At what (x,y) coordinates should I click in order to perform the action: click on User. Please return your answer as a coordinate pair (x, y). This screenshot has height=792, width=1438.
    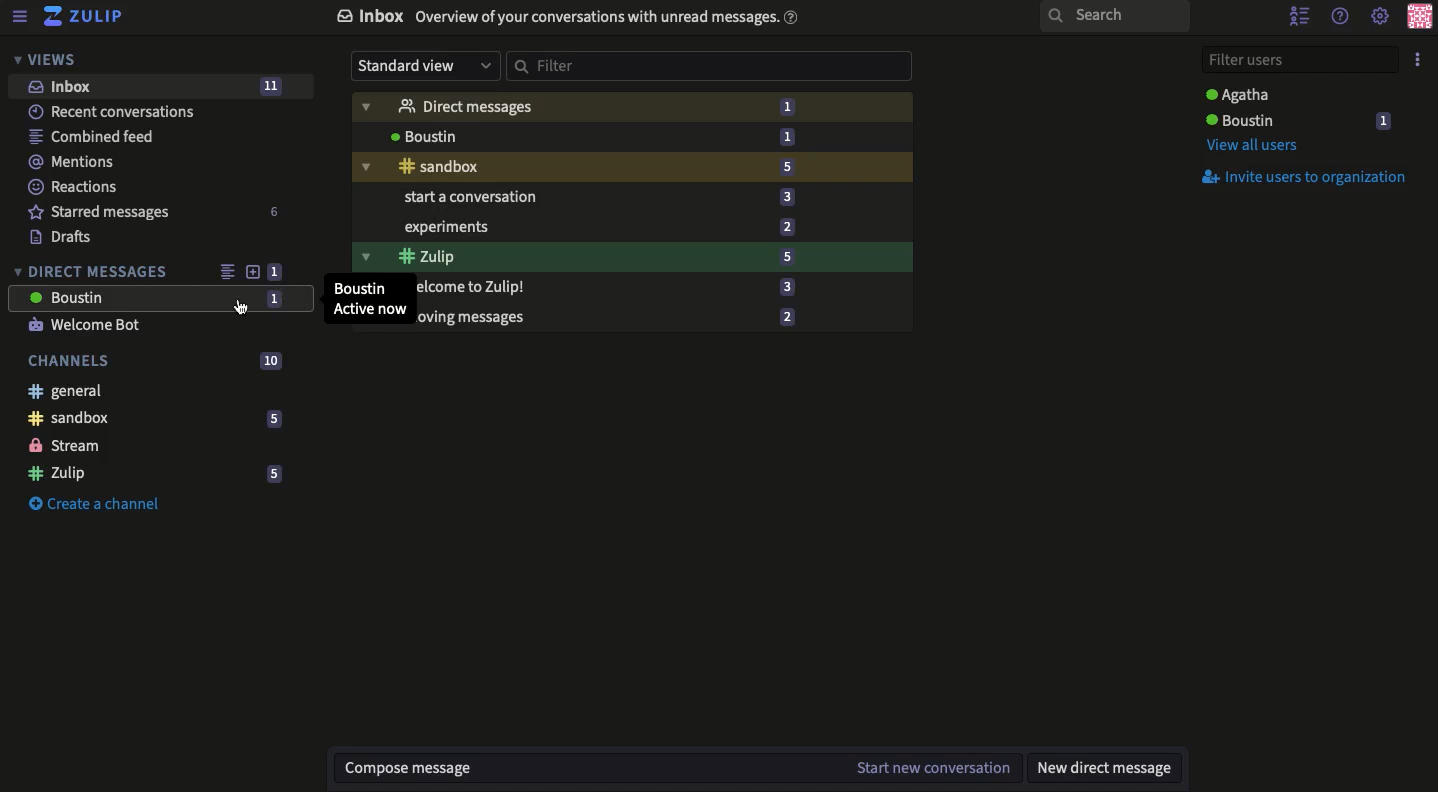
    Looking at the image, I should click on (157, 298).